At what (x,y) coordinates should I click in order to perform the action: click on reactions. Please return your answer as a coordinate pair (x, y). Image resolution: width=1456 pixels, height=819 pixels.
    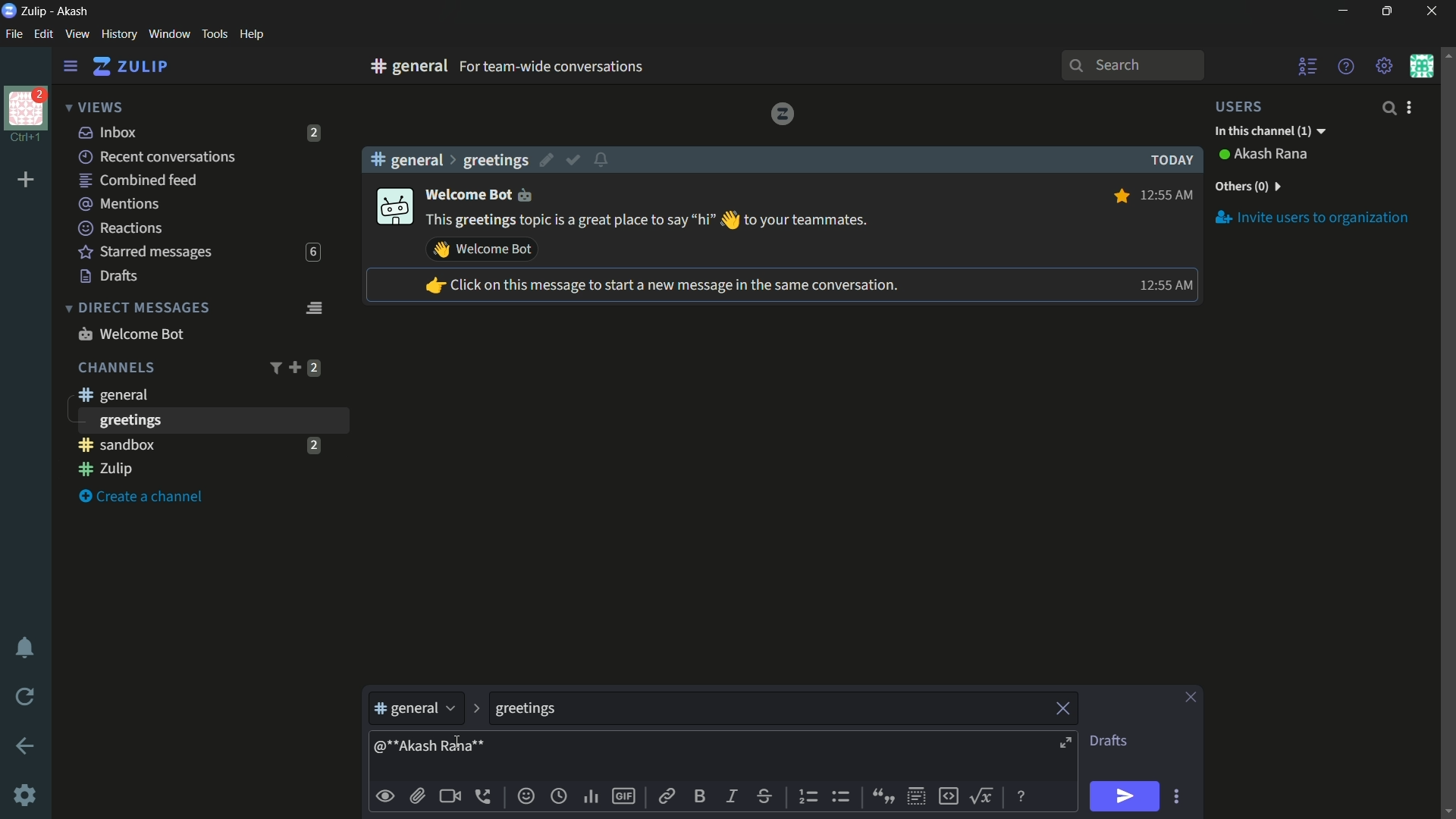
    Looking at the image, I should click on (120, 227).